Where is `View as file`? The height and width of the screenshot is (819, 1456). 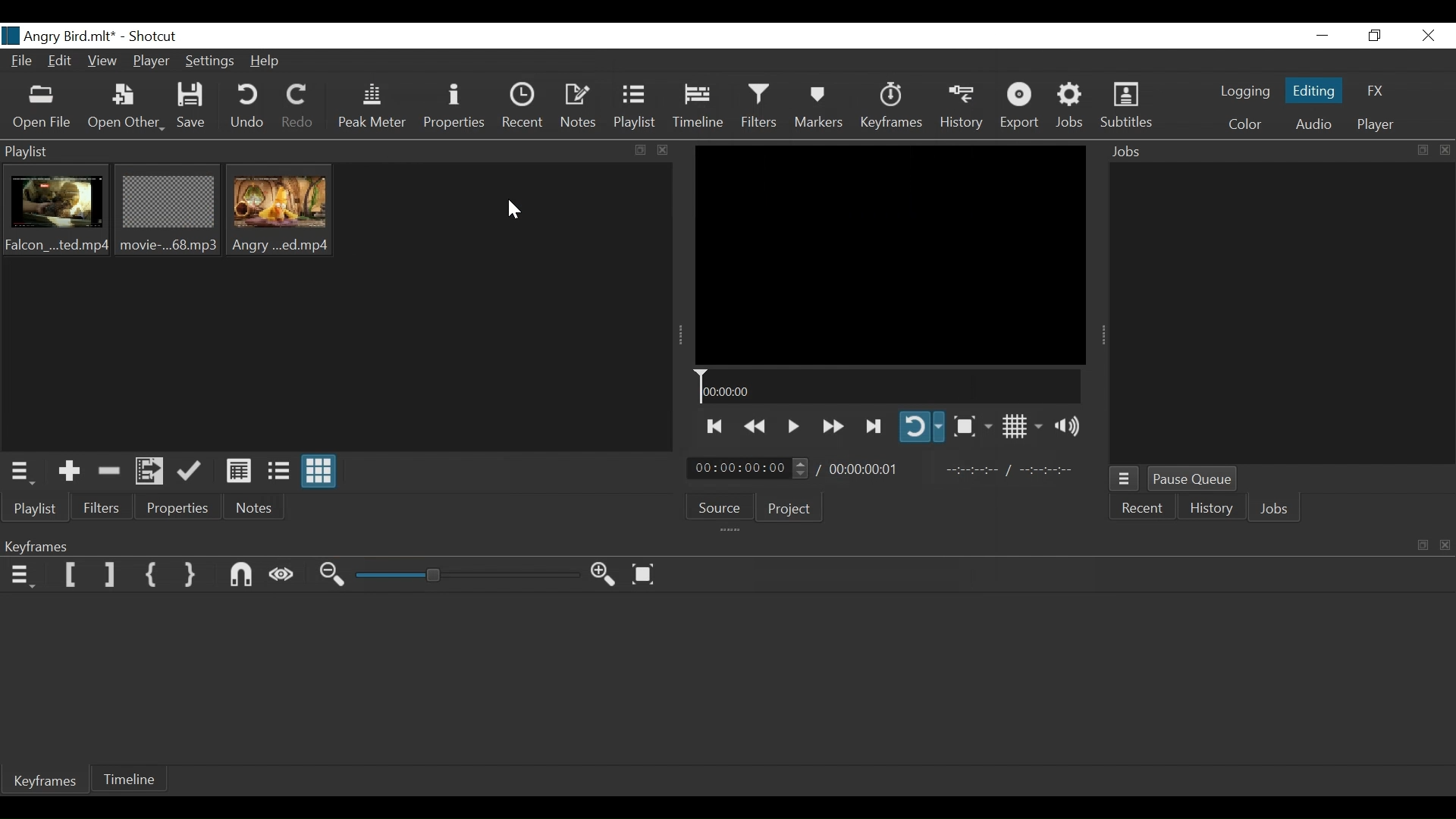
View as file is located at coordinates (279, 472).